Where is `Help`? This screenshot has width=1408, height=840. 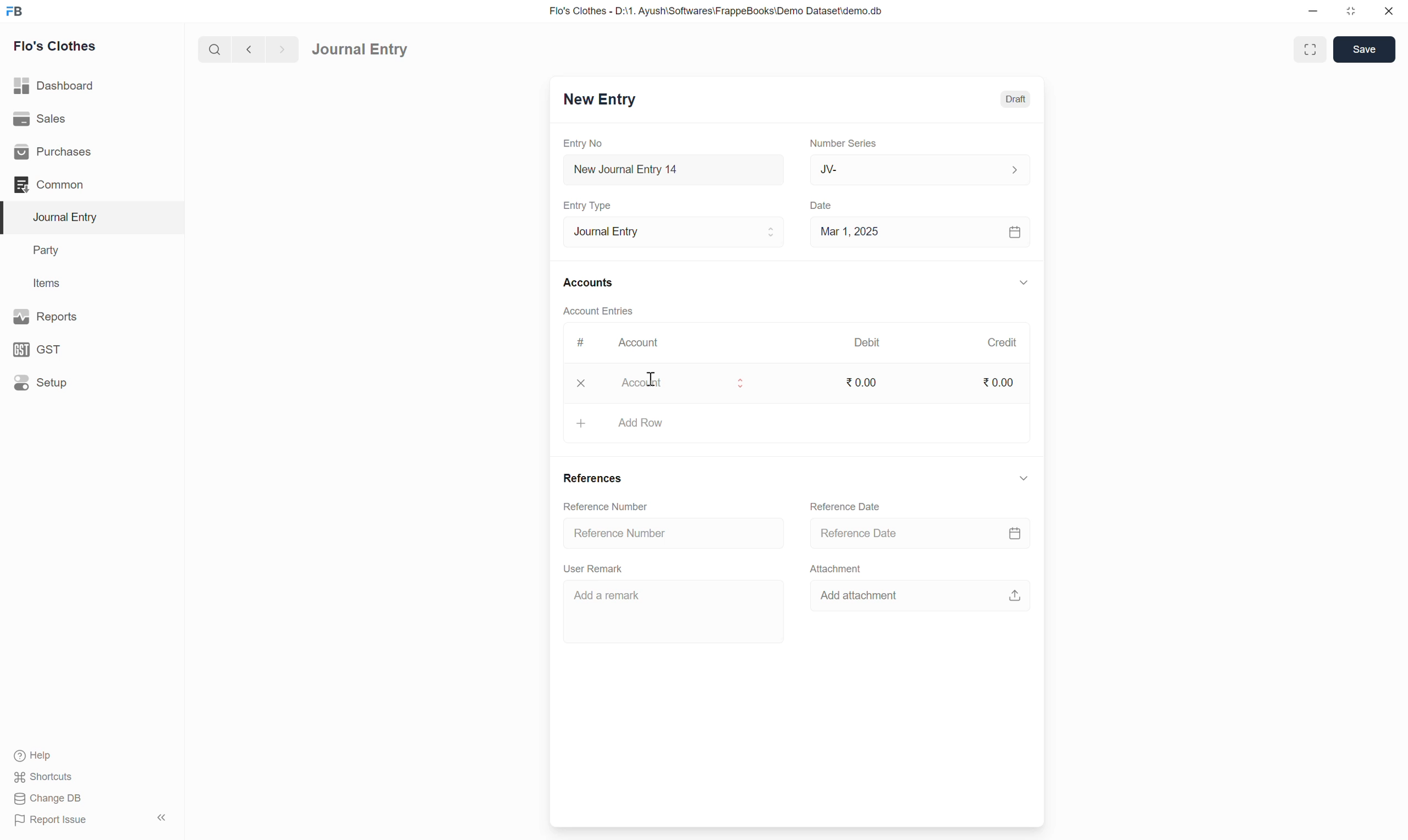 Help is located at coordinates (36, 756).